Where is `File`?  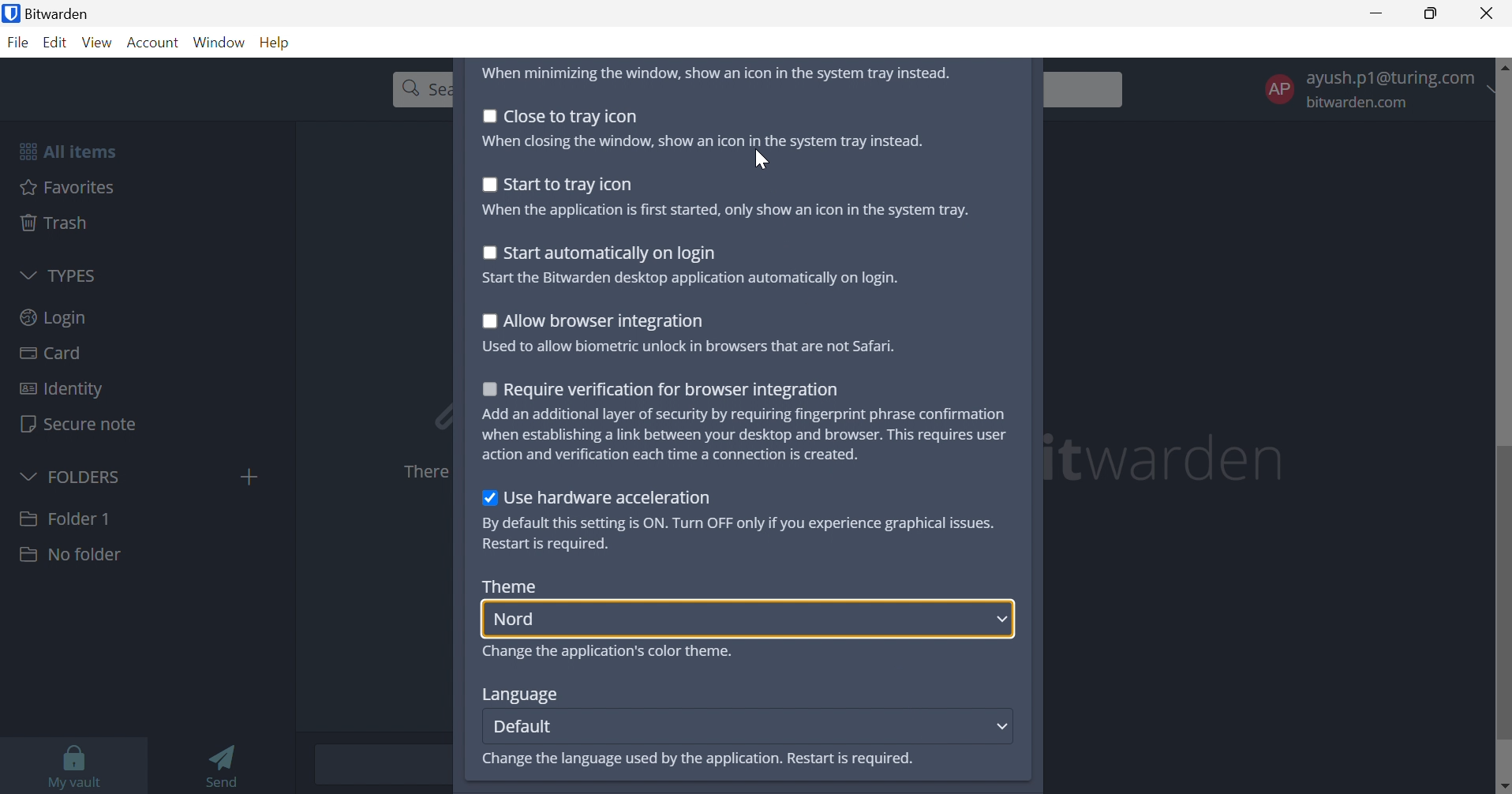
File is located at coordinates (21, 43).